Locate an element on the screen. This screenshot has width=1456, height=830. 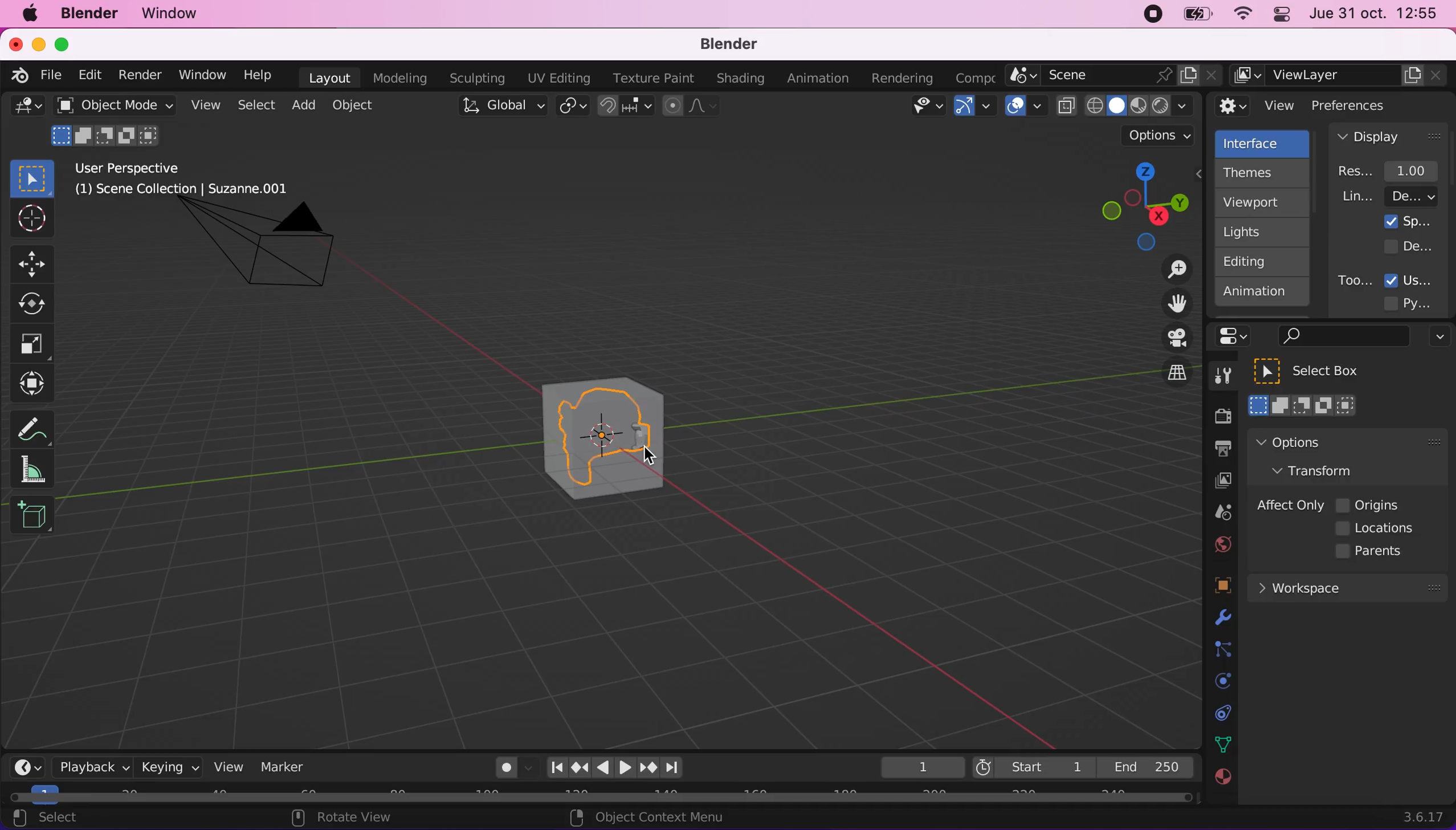
output is located at coordinates (1217, 450).